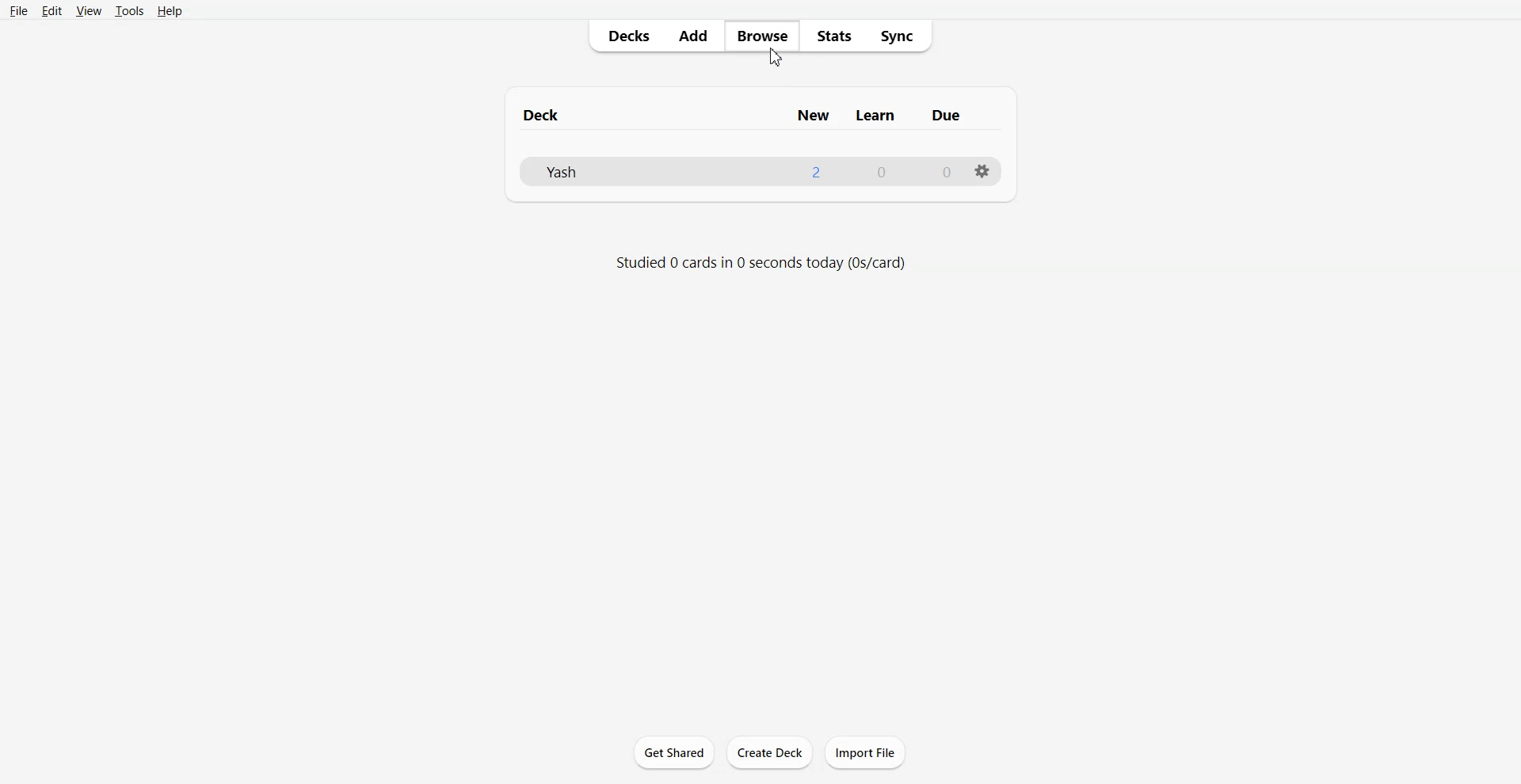 The height and width of the screenshot is (784, 1521). What do you see at coordinates (566, 173) in the screenshot?
I see `Yash` at bounding box center [566, 173].